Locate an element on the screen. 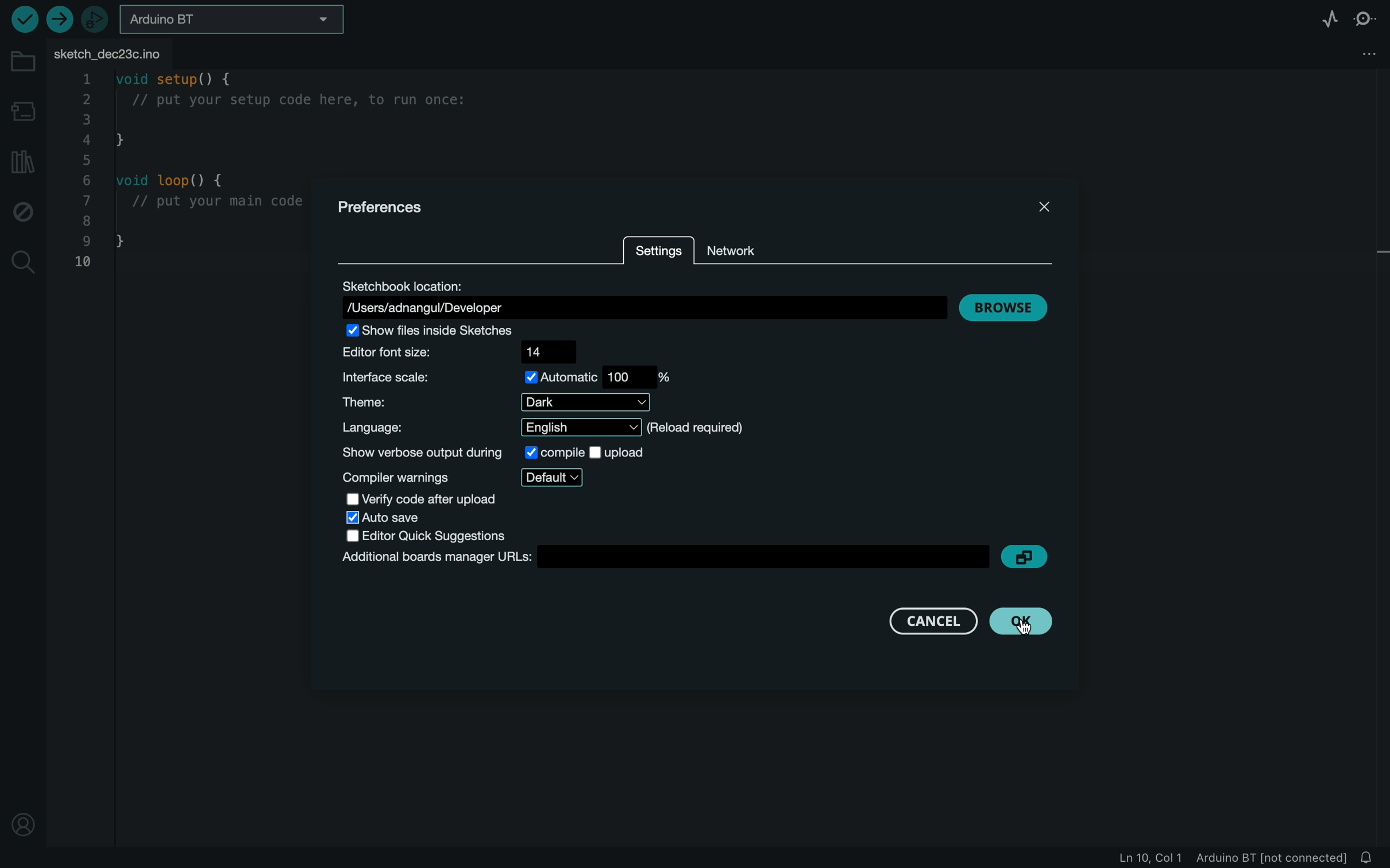  copy is located at coordinates (1024, 556).